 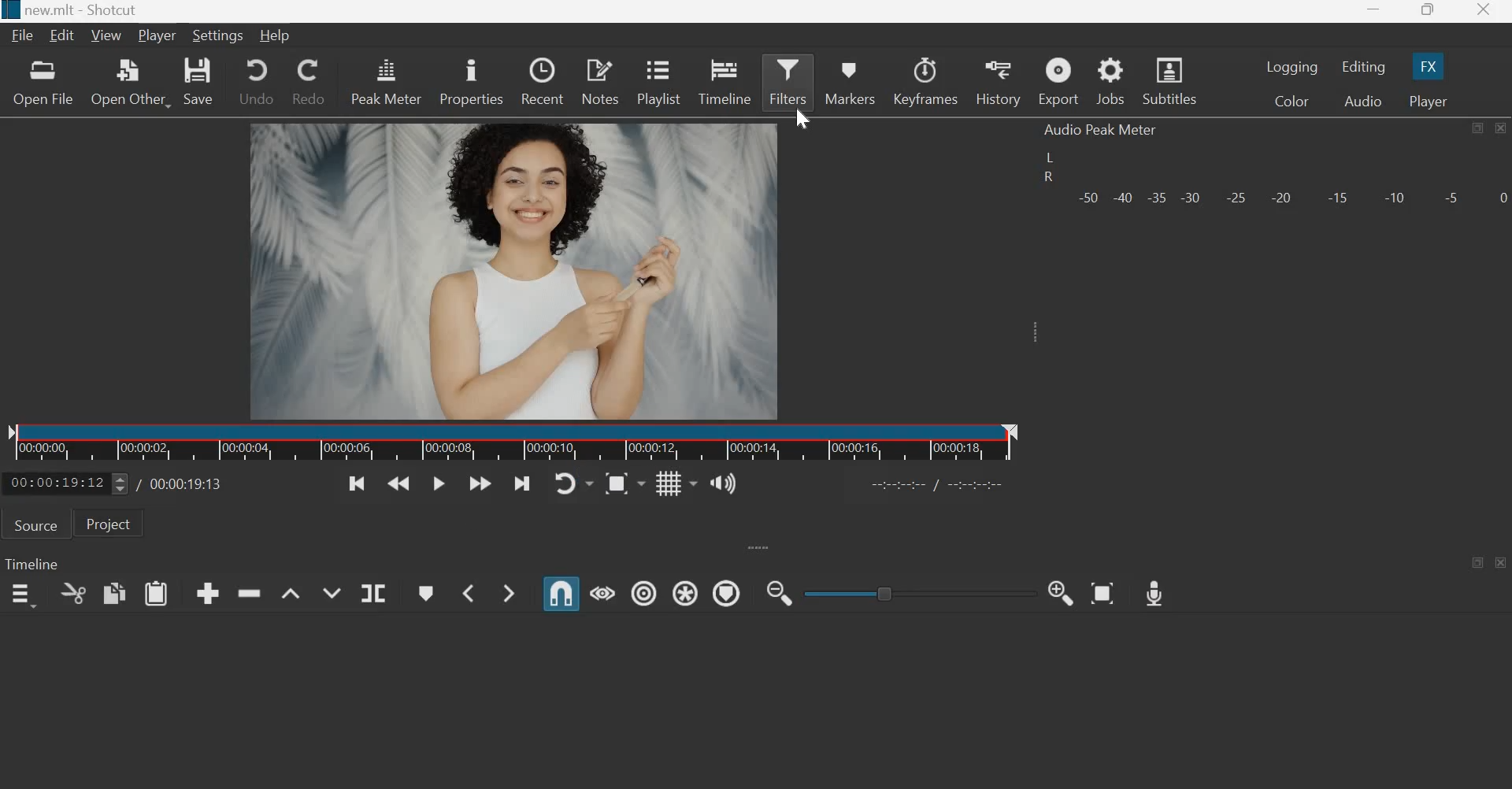 I want to click on open file, so click(x=42, y=82).